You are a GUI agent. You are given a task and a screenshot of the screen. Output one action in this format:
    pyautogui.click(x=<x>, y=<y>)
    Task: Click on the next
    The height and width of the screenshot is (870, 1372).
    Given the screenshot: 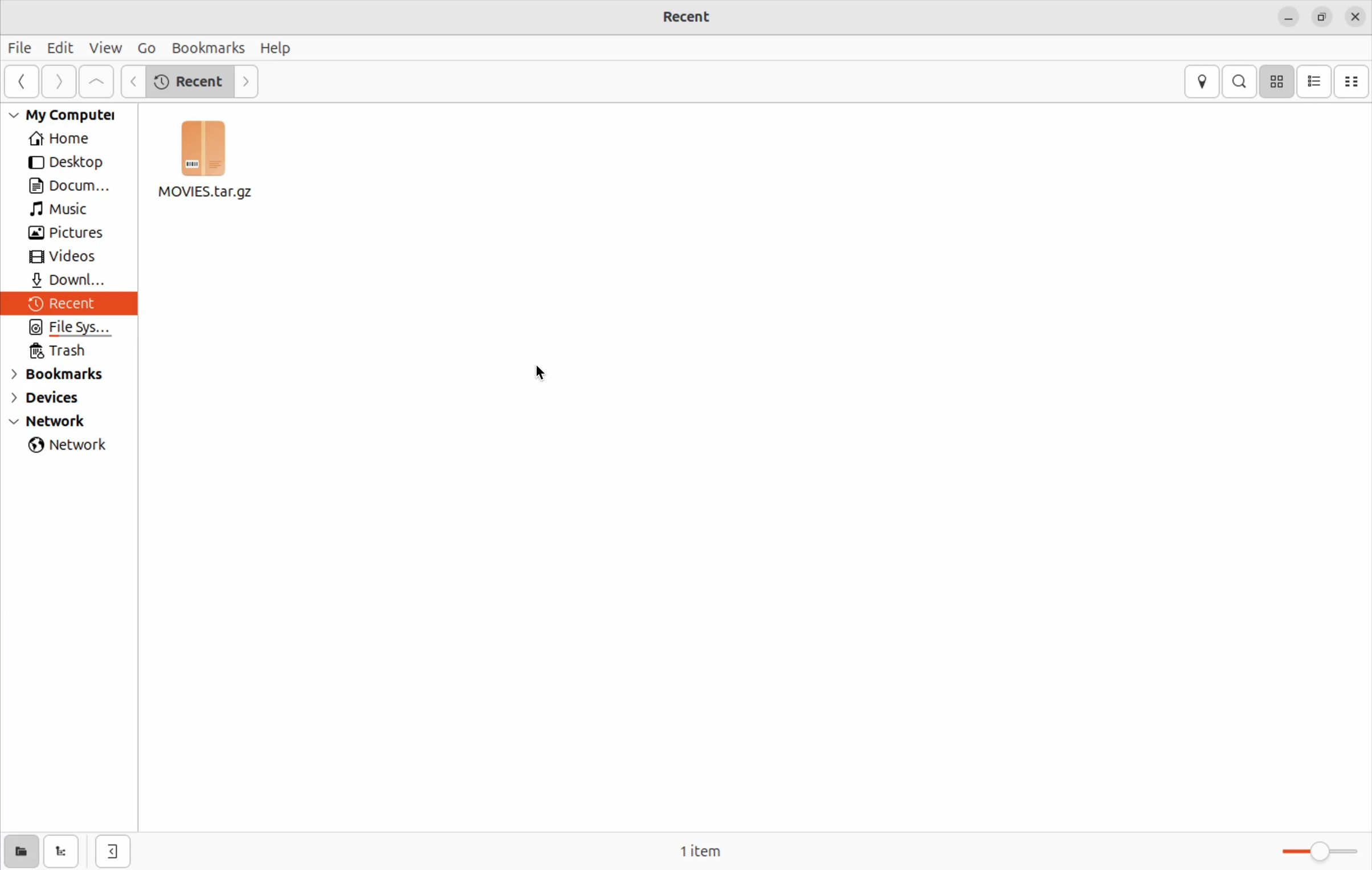 What is the action you would take?
    pyautogui.click(x=251, y=80)
    